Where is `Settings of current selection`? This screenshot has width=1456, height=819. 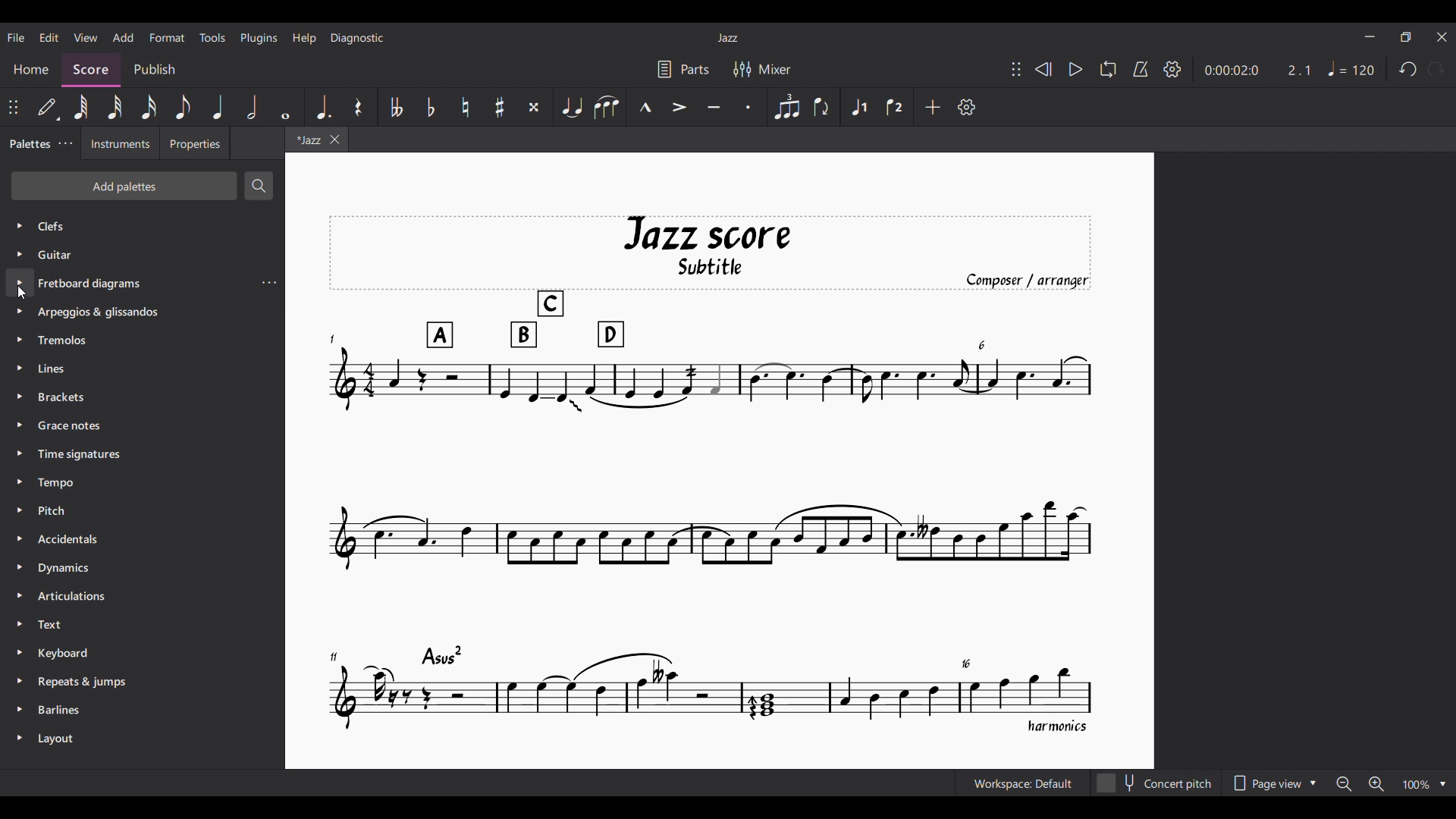
Settings of current selection is located at coordinates (268, 282).